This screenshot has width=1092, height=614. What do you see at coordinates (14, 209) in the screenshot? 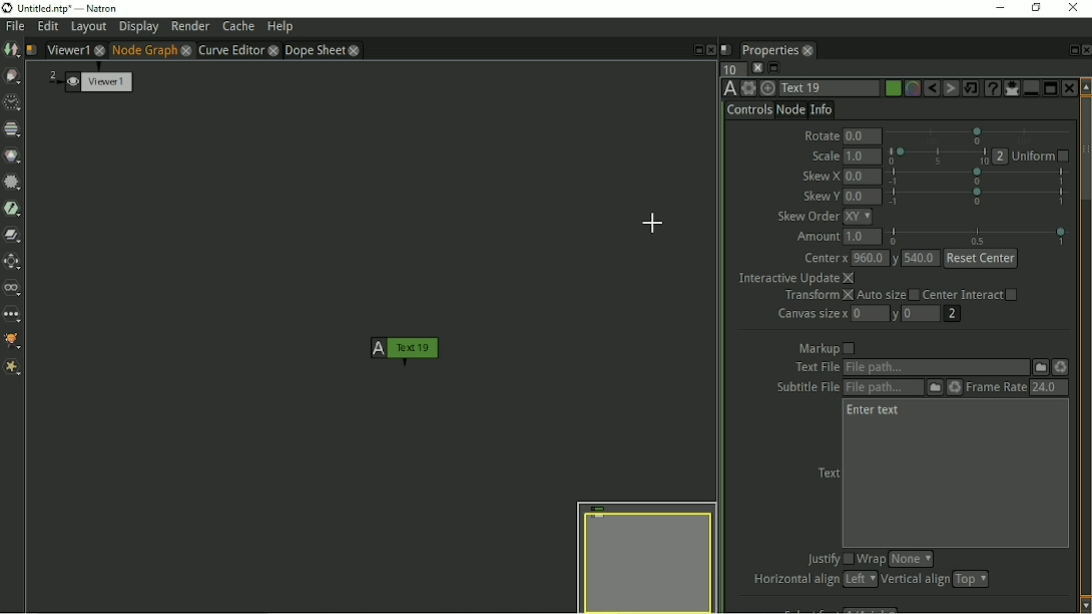
I see `Keyer` at bounding box center [14, 209].